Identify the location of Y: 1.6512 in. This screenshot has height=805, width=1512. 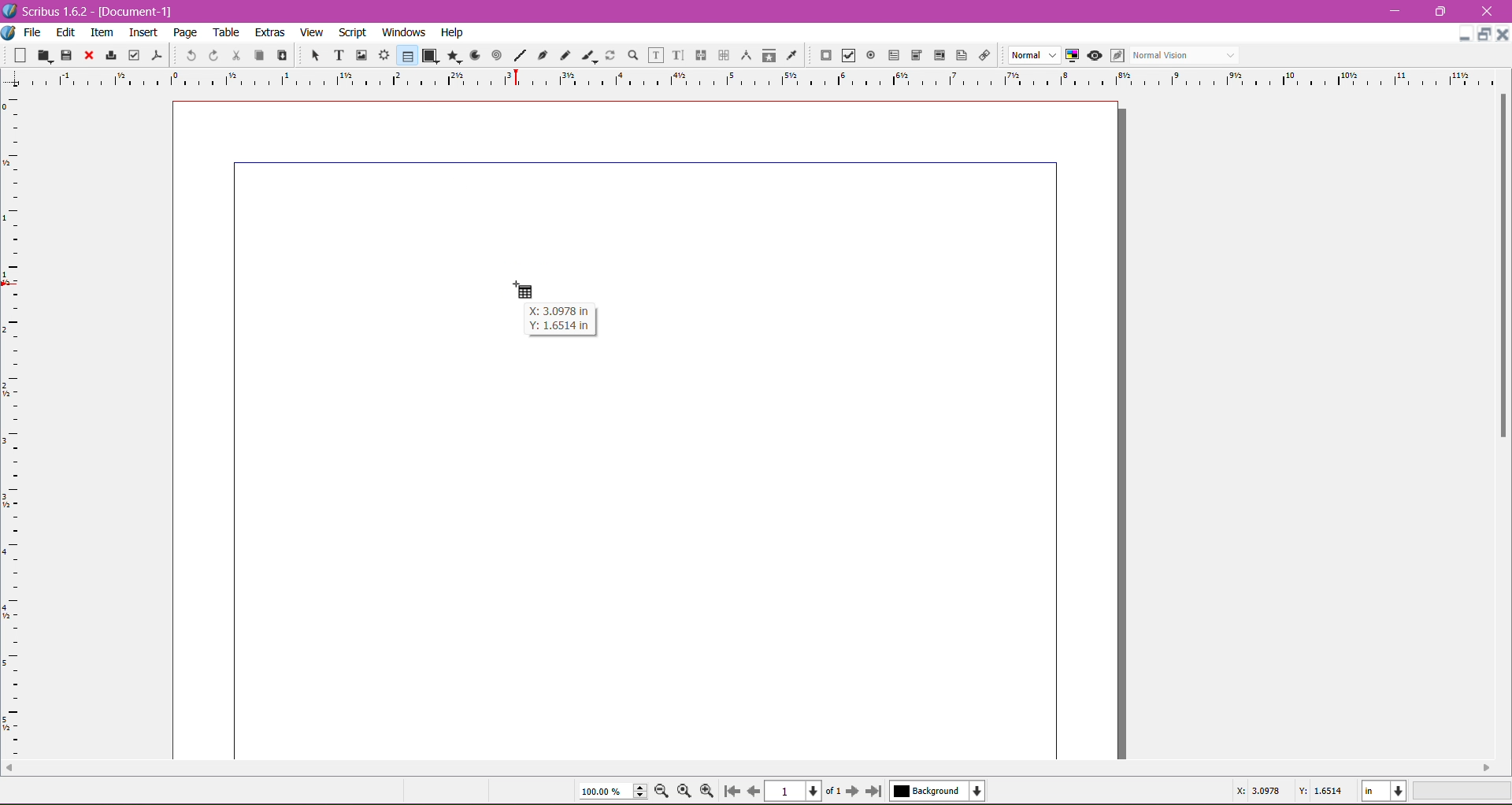
(558, 327).